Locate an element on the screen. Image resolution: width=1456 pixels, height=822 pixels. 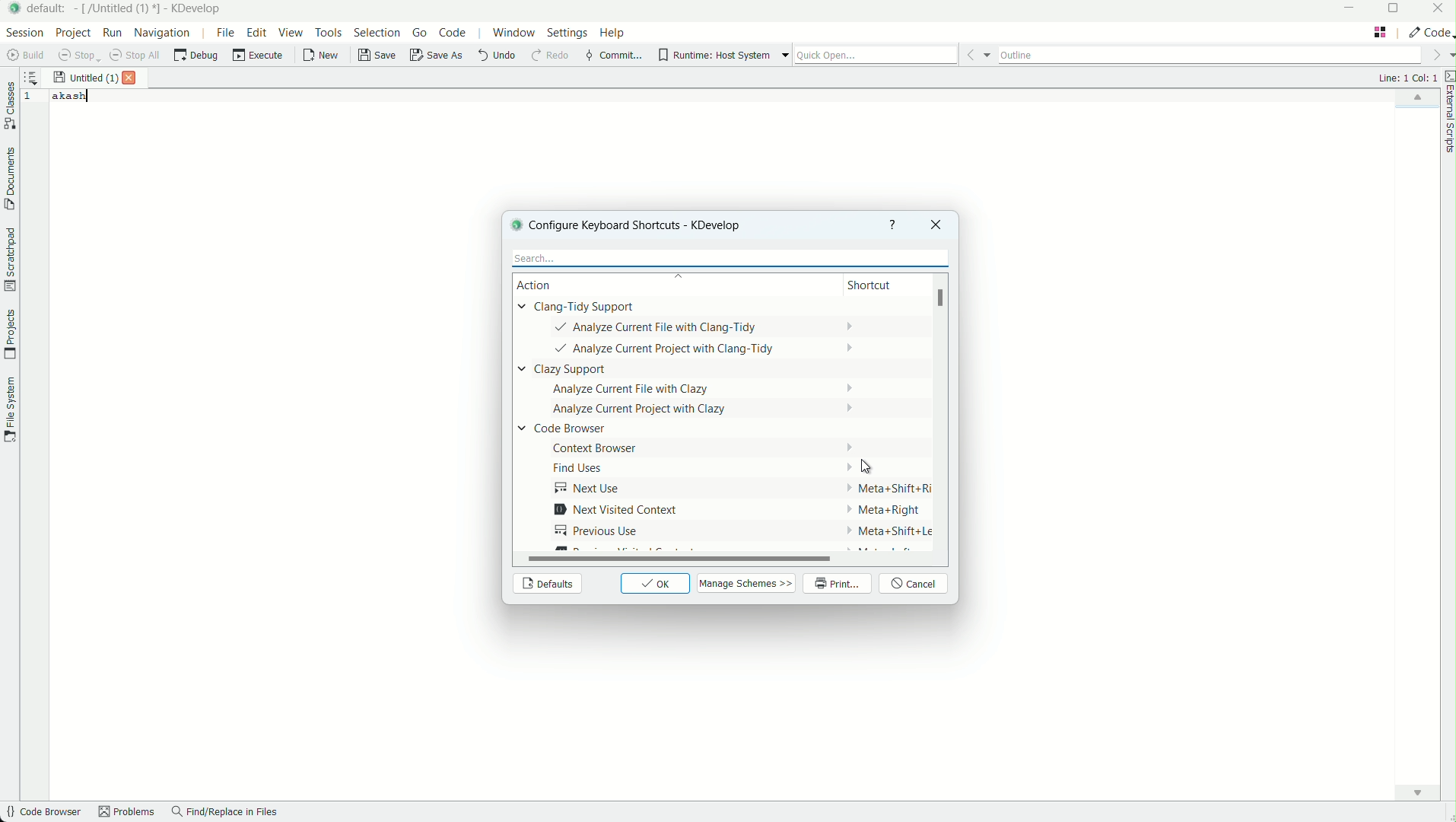
outline is located at coordinates (1210, 53).